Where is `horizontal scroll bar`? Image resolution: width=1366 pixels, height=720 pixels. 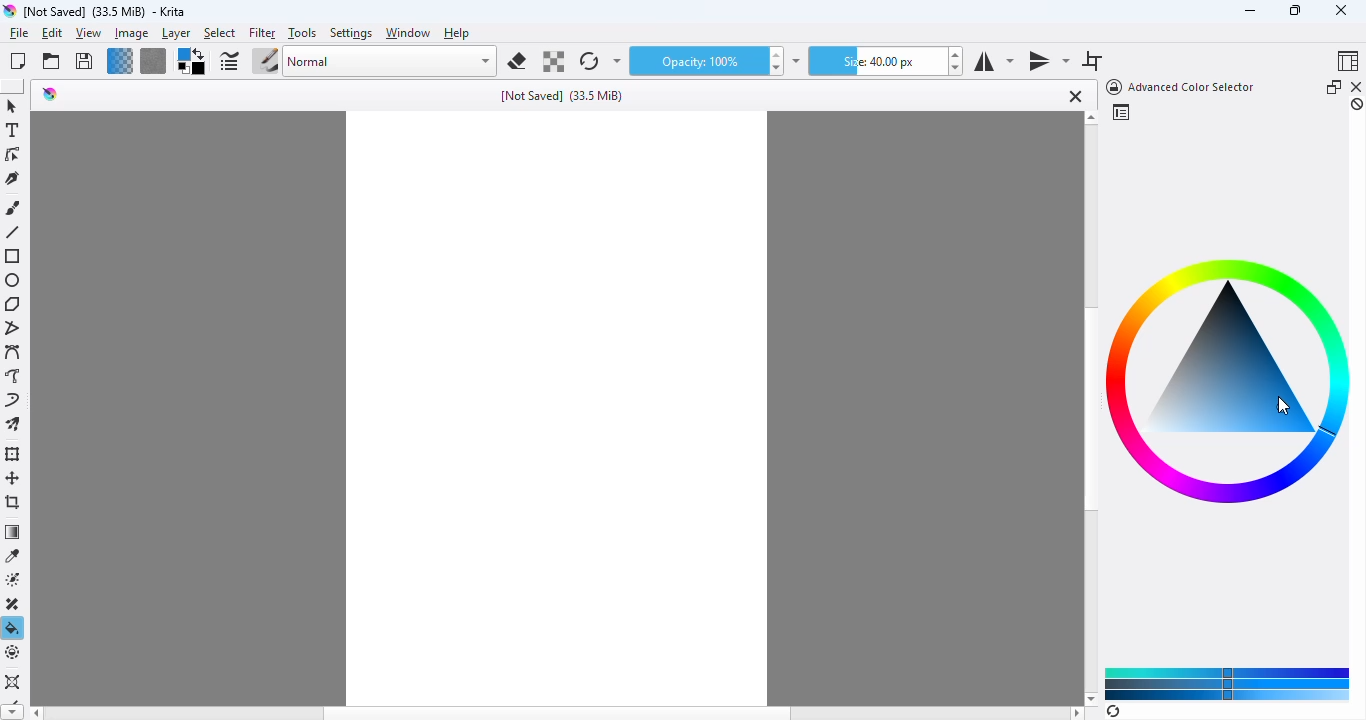
horizontal scroll bar is located at coordinates (558, 713).